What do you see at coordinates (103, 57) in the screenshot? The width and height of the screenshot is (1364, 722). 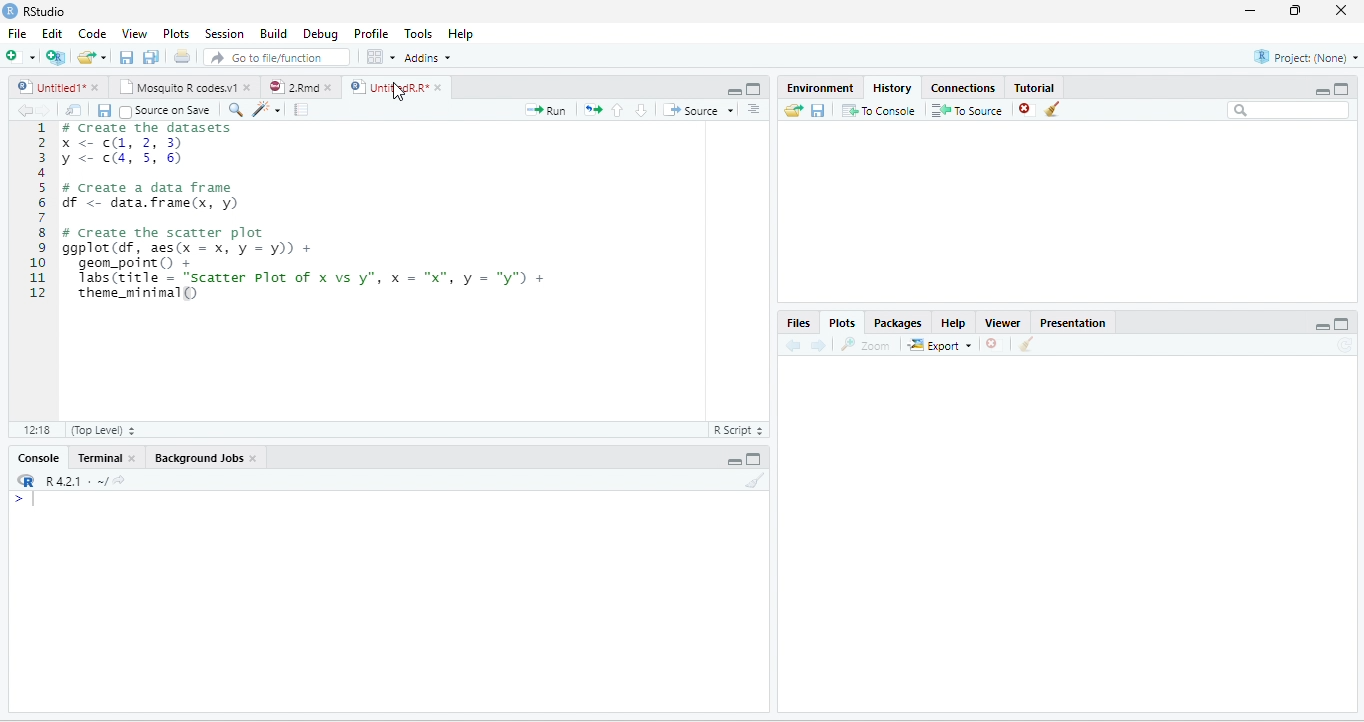 I see `Open recent files` at bounding box center [103, 57].